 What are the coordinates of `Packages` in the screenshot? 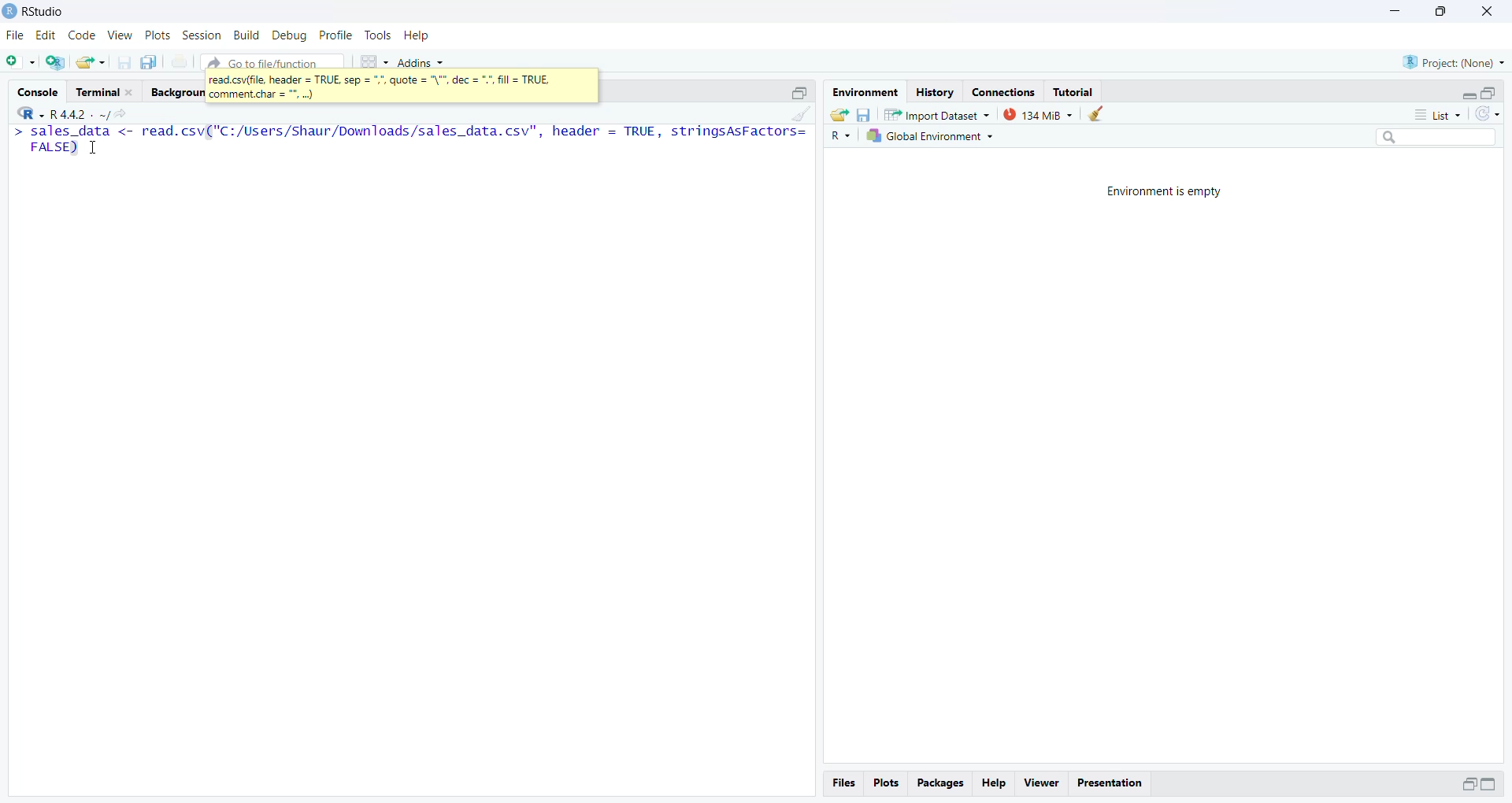 It's located at (942, 785).